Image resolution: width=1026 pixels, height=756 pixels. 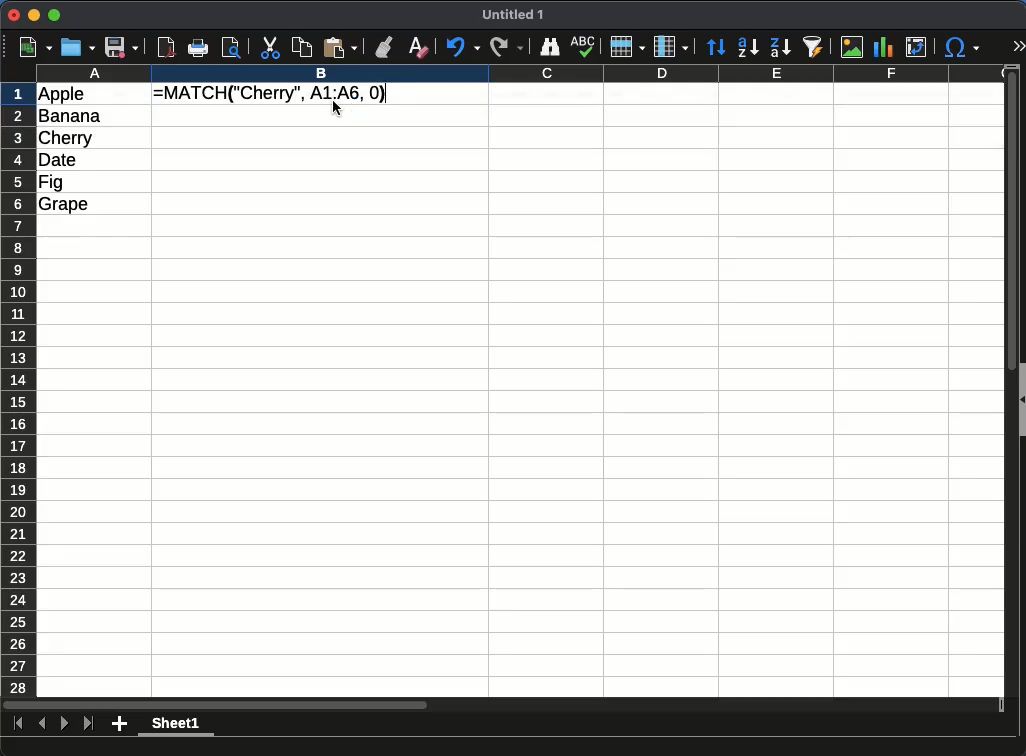 What do you see at coordinates (51, 183) in the screenshot?
I see `fig` at bounding box center [51, 183].